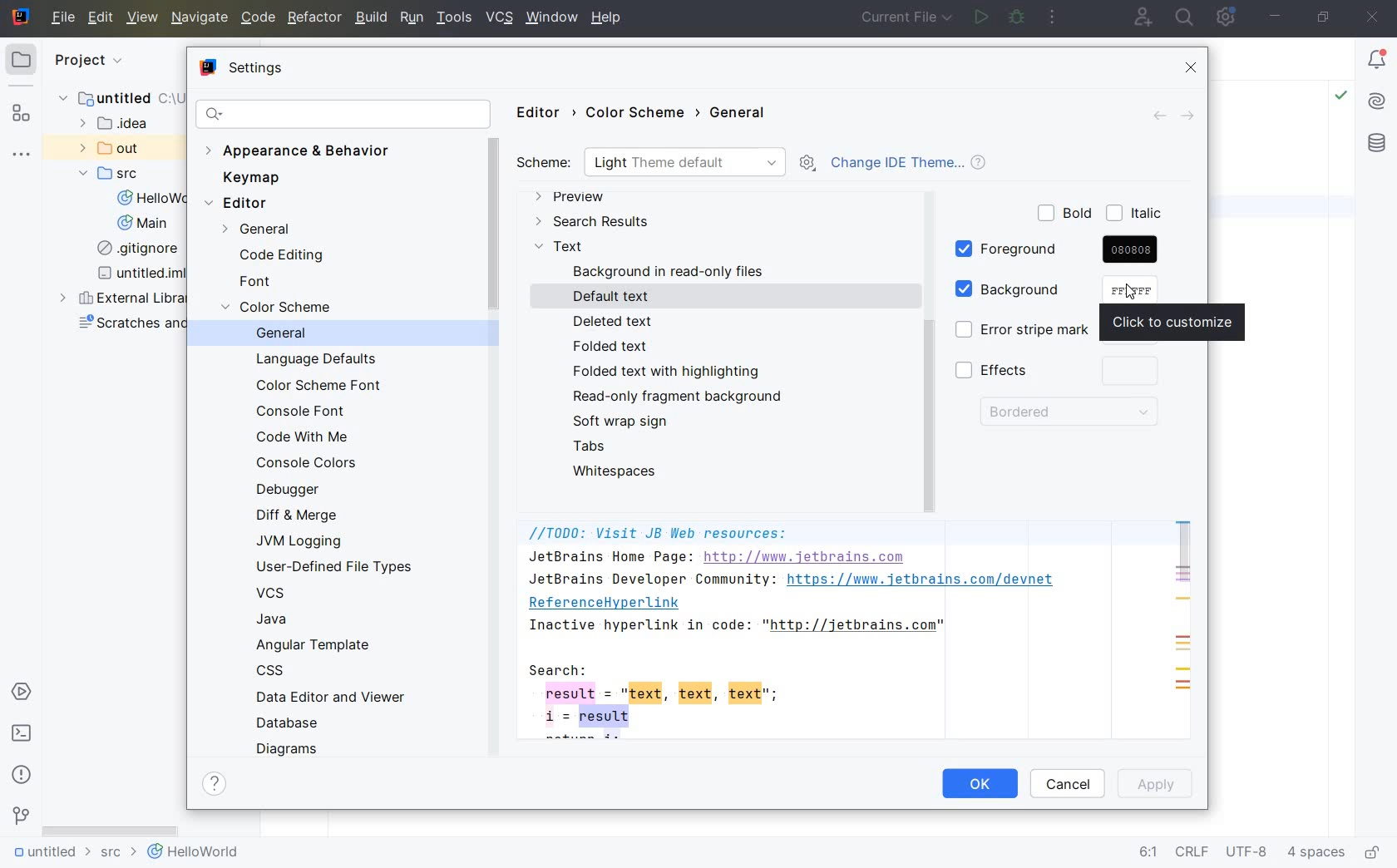  Describe the element at coordinates (143, 18) in the screenshot. I see `VIEW` at that location.